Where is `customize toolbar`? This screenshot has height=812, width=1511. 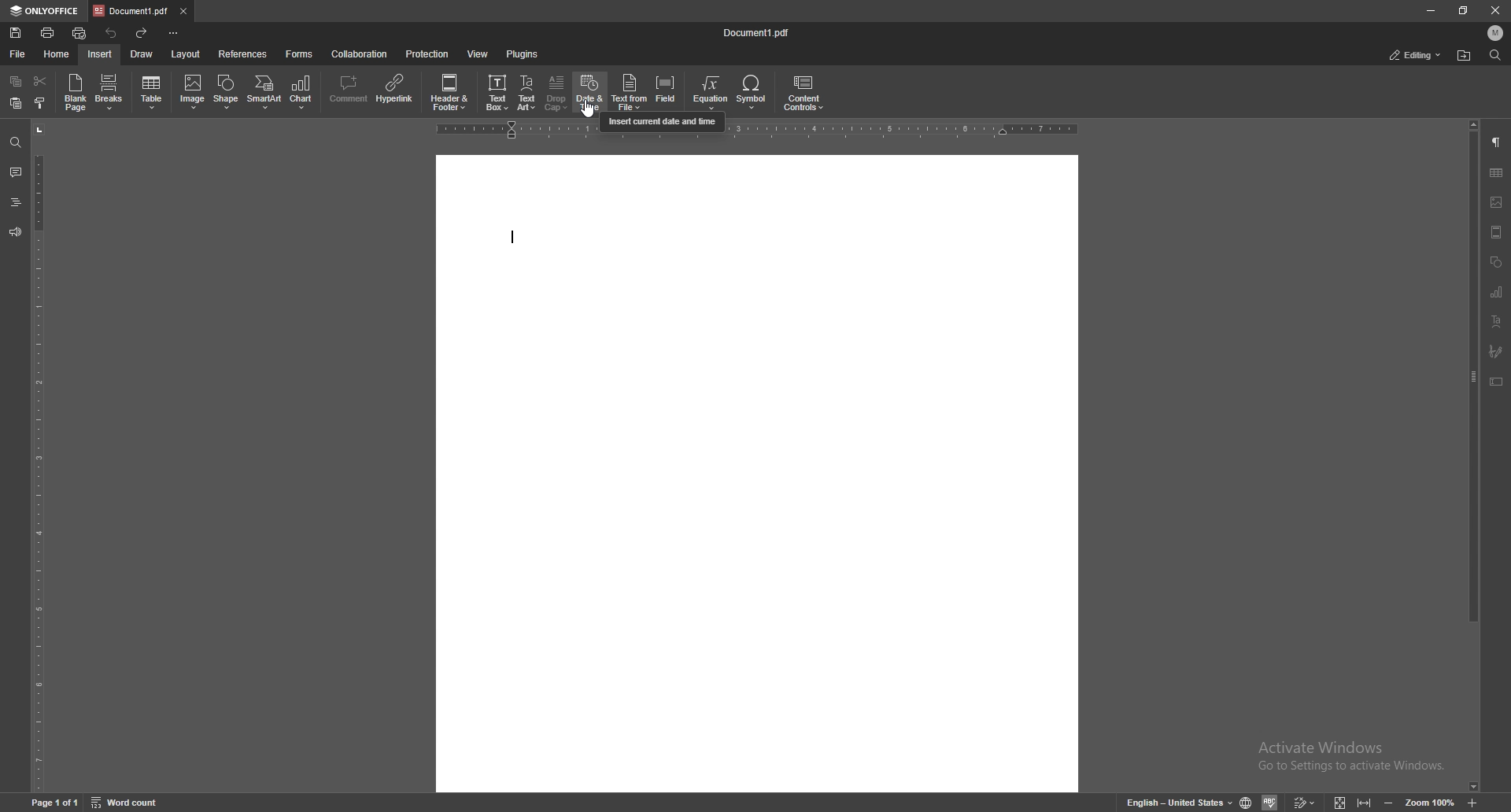 customize toolbar is located at coordinates (173, 34).